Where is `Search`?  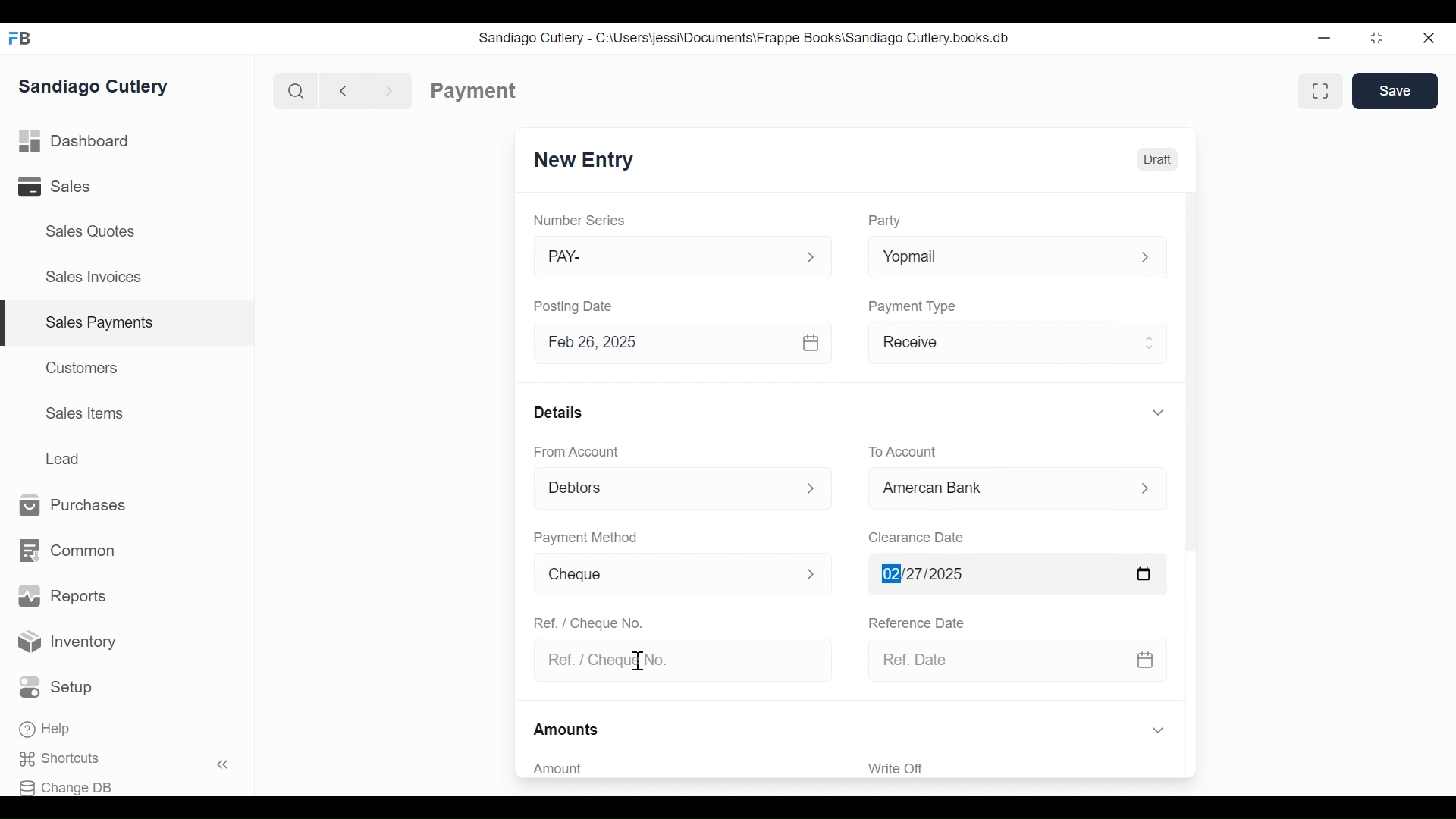
Search is located at coordinates (293, 90).